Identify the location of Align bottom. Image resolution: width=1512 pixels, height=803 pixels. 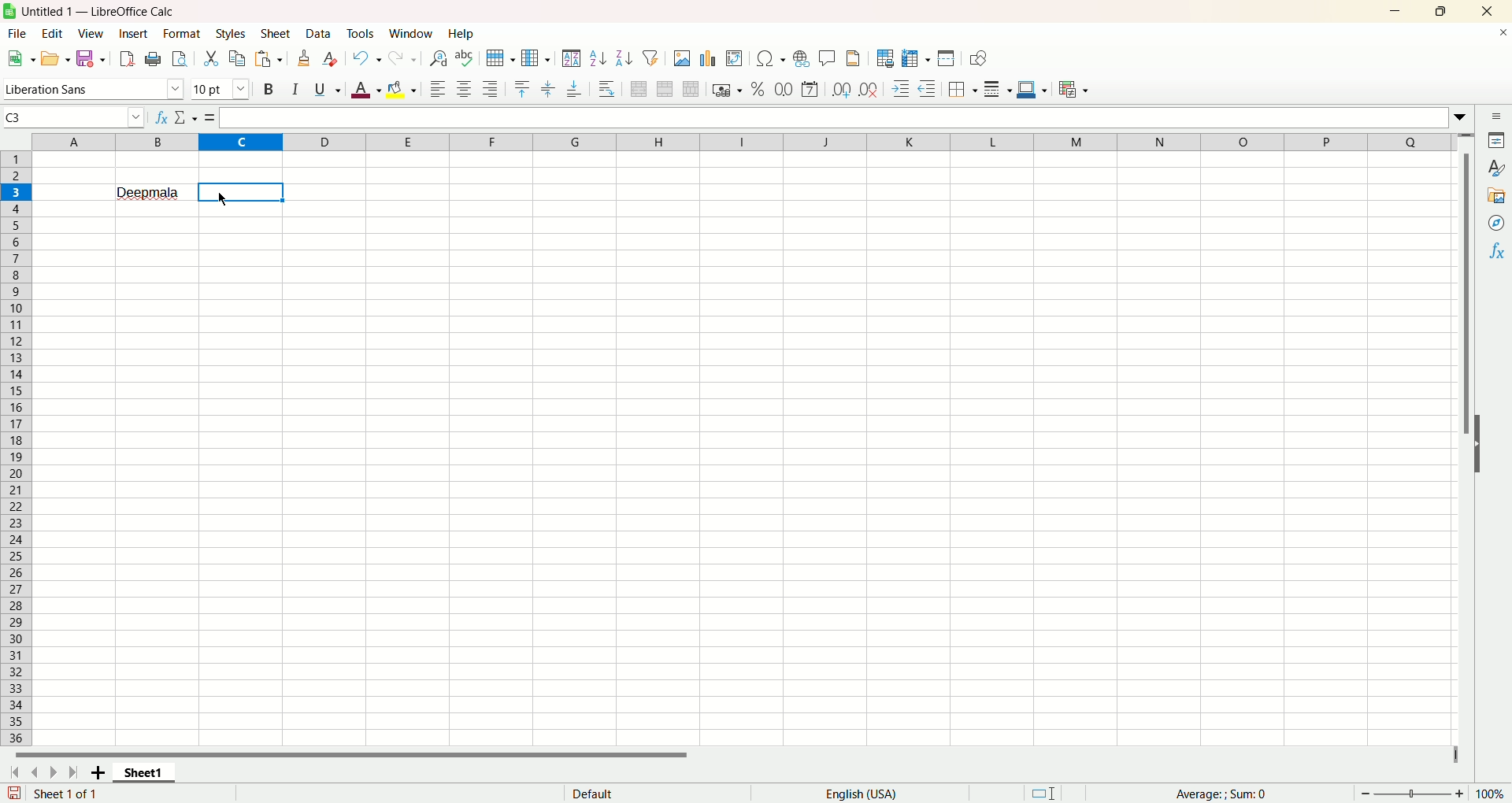
(573, 91).